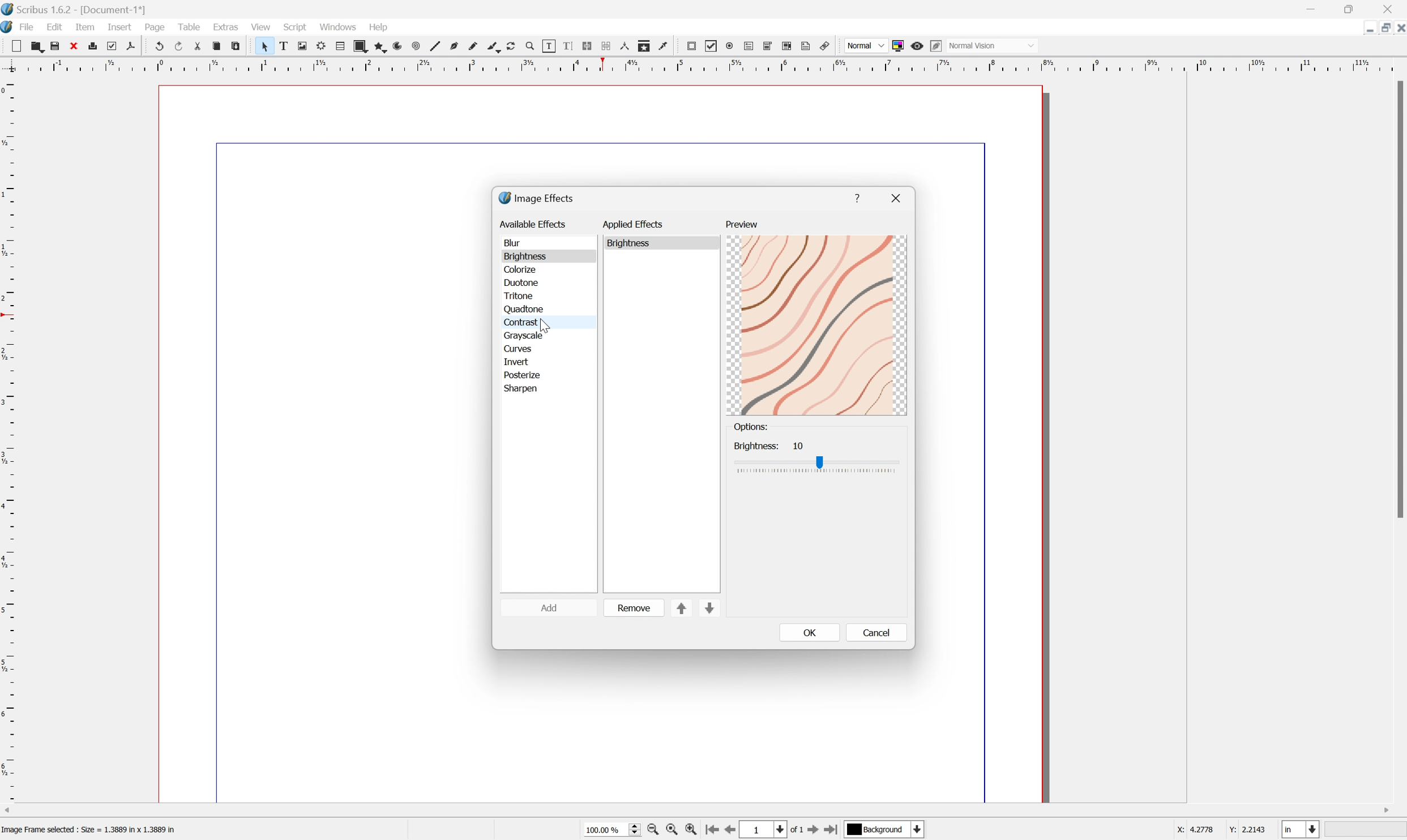 The image size is (1407, 840). What do you see at coordinates (526, 256) in the screenshot?
I see `brightness` at bounding box center [526, 256].